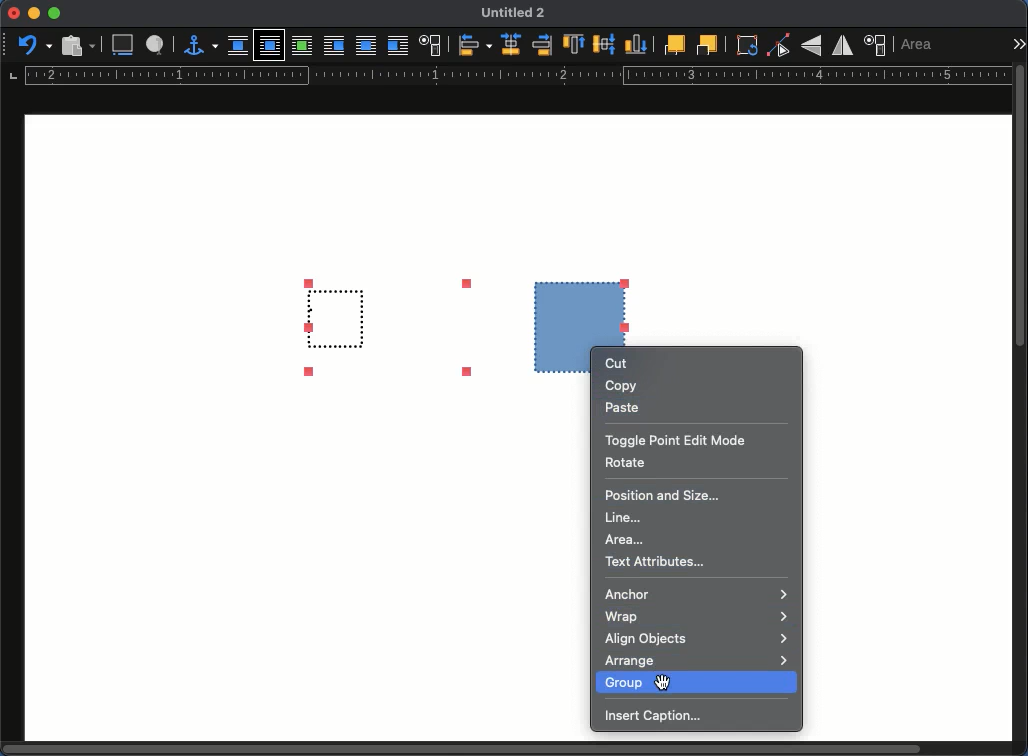 This screenshot has height=756, width=1028. What do you see at coordinates (1023, 404) in the screenshot?
I see `scroll` at bounding box center [1023, 404].